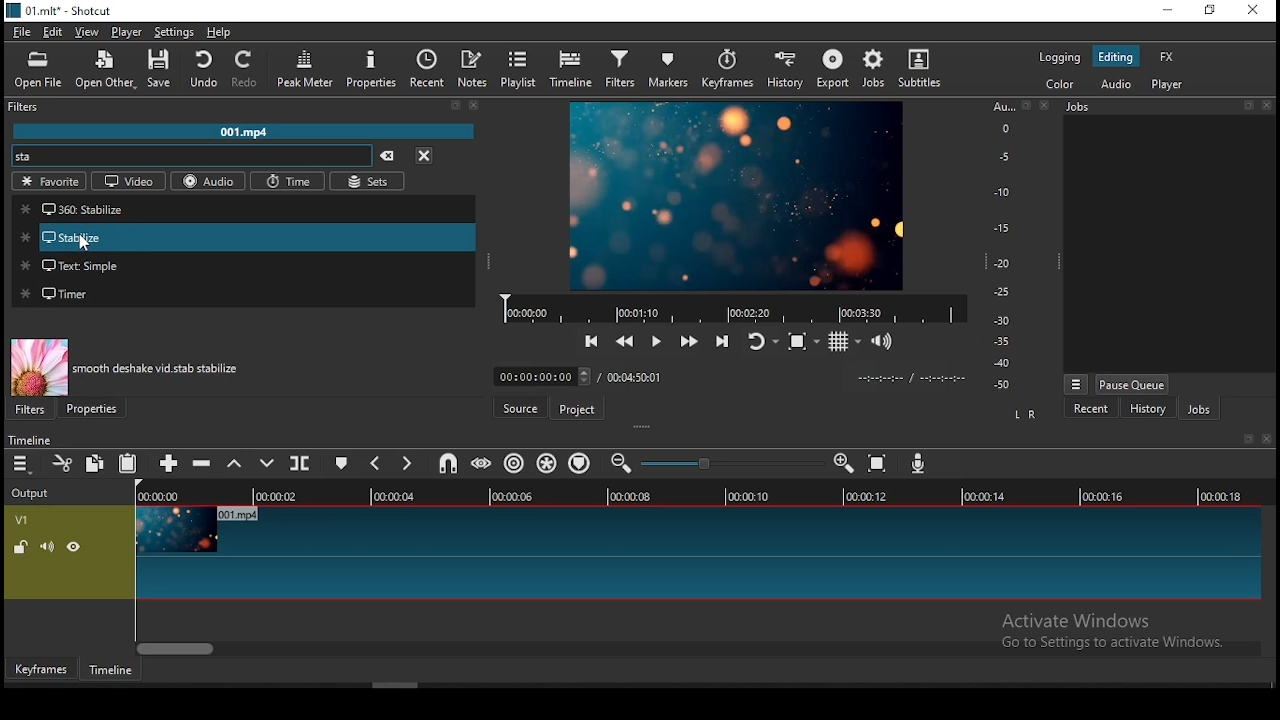 The width and height of the screenshot is (1280, 720). Describe the element at coordinates (843, 340) in the screenshot. I see `toggle grid display on the player` at that location.